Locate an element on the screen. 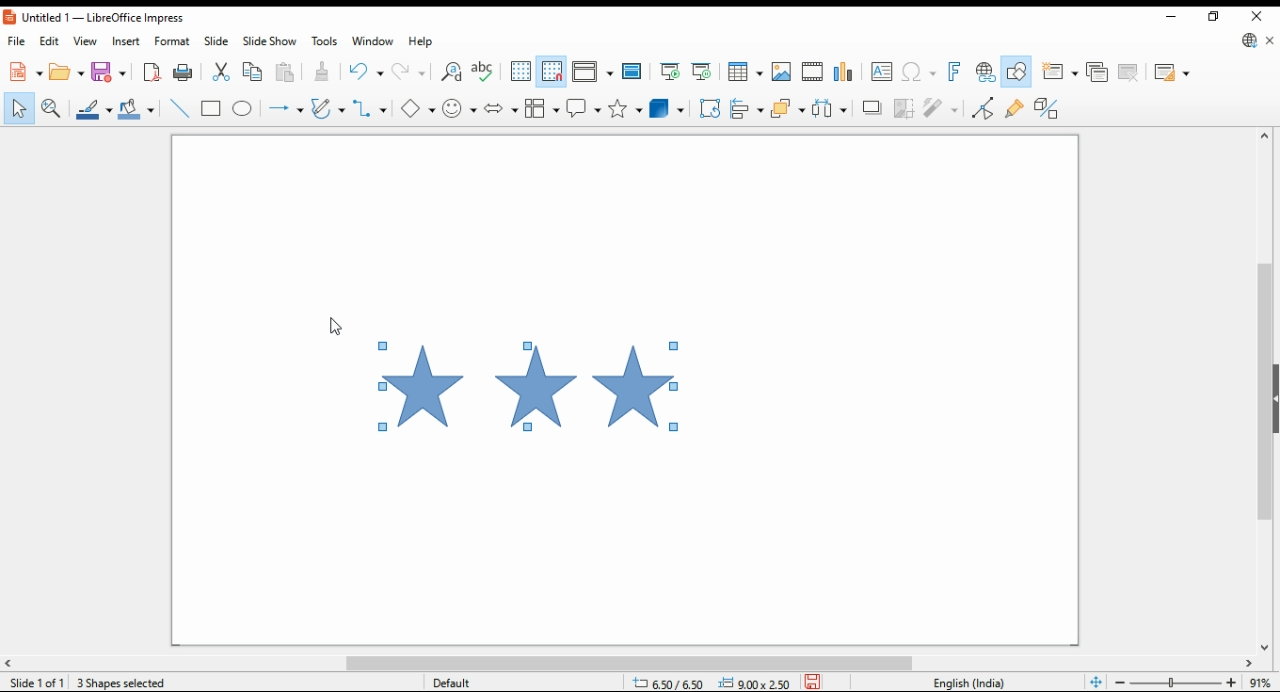  scroll bar is located at coordinates (640, 662).